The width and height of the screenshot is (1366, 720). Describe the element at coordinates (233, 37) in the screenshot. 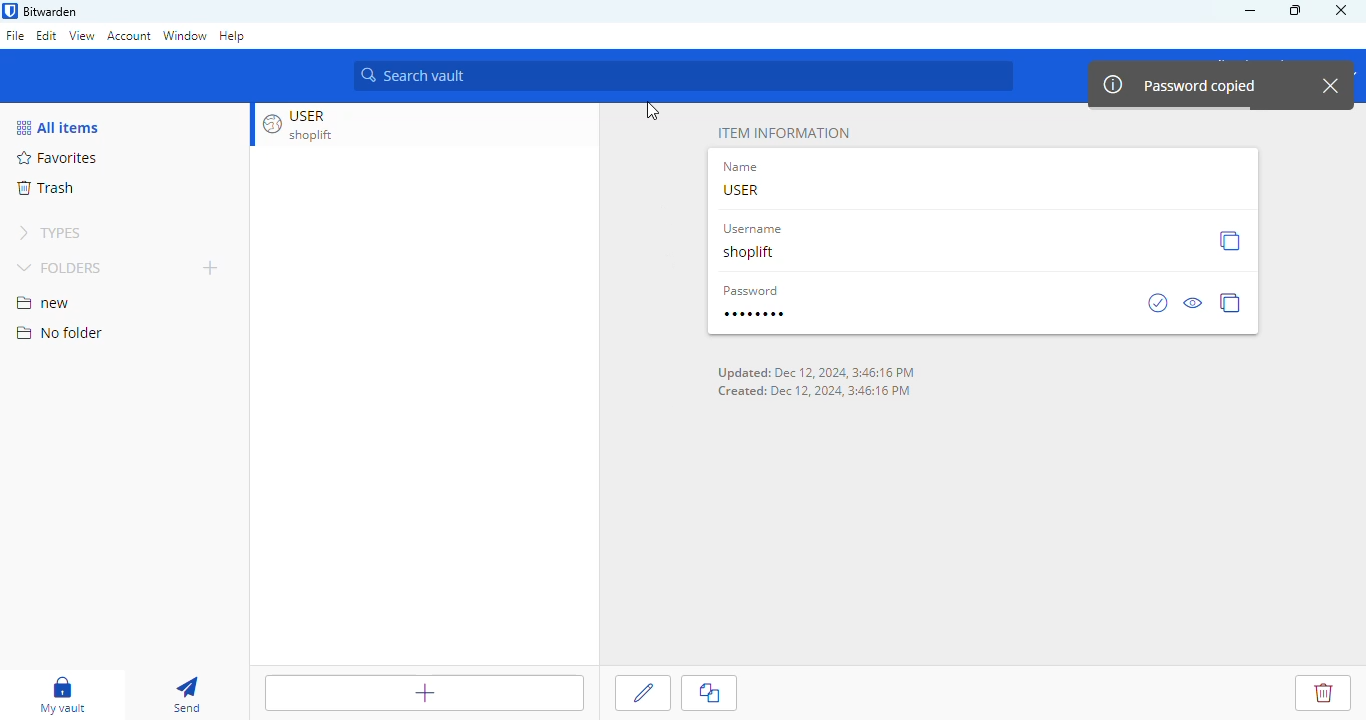

I see `help` at that location.